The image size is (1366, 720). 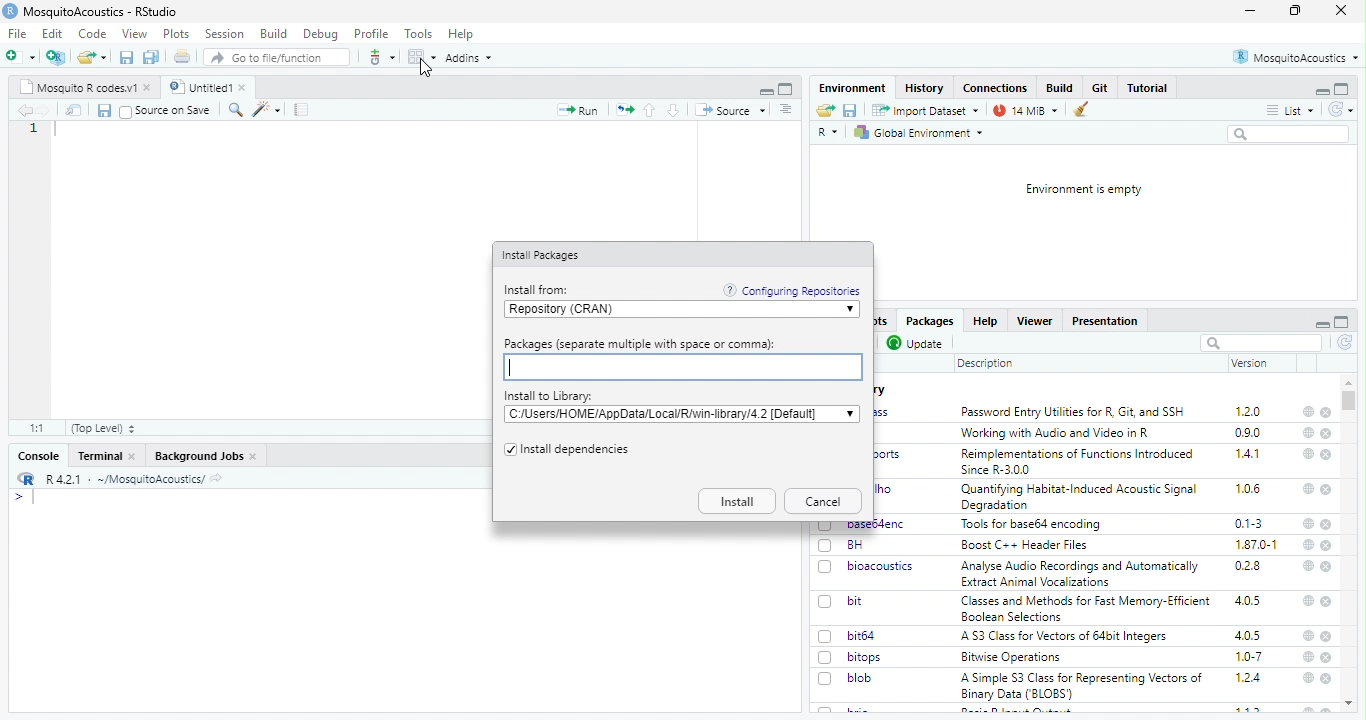 I want to click on edit, so click(x=266, y=110).